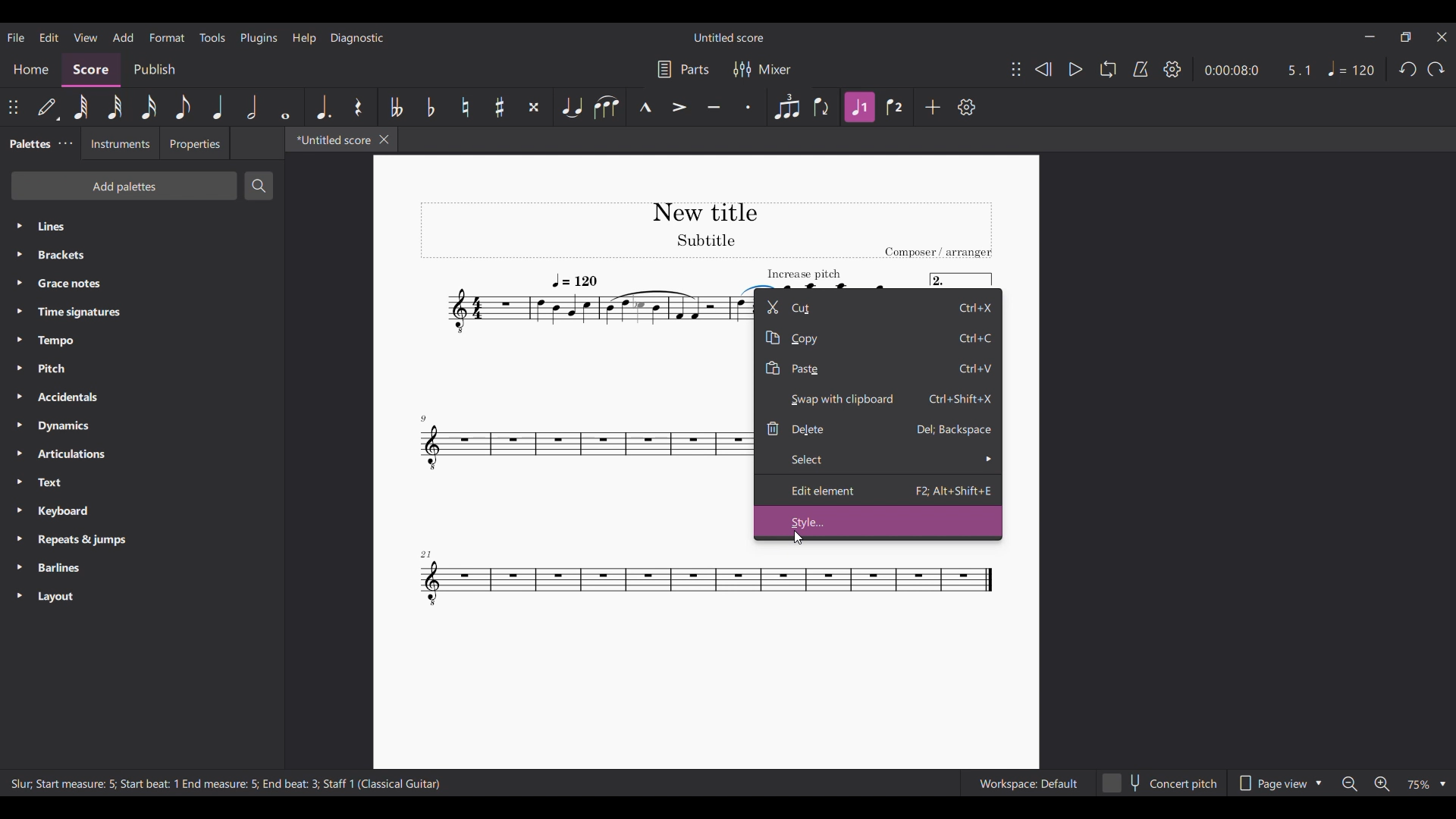  Describe the element at coordinates (82, 108) in the screenshot. I see `64th note` at that location.